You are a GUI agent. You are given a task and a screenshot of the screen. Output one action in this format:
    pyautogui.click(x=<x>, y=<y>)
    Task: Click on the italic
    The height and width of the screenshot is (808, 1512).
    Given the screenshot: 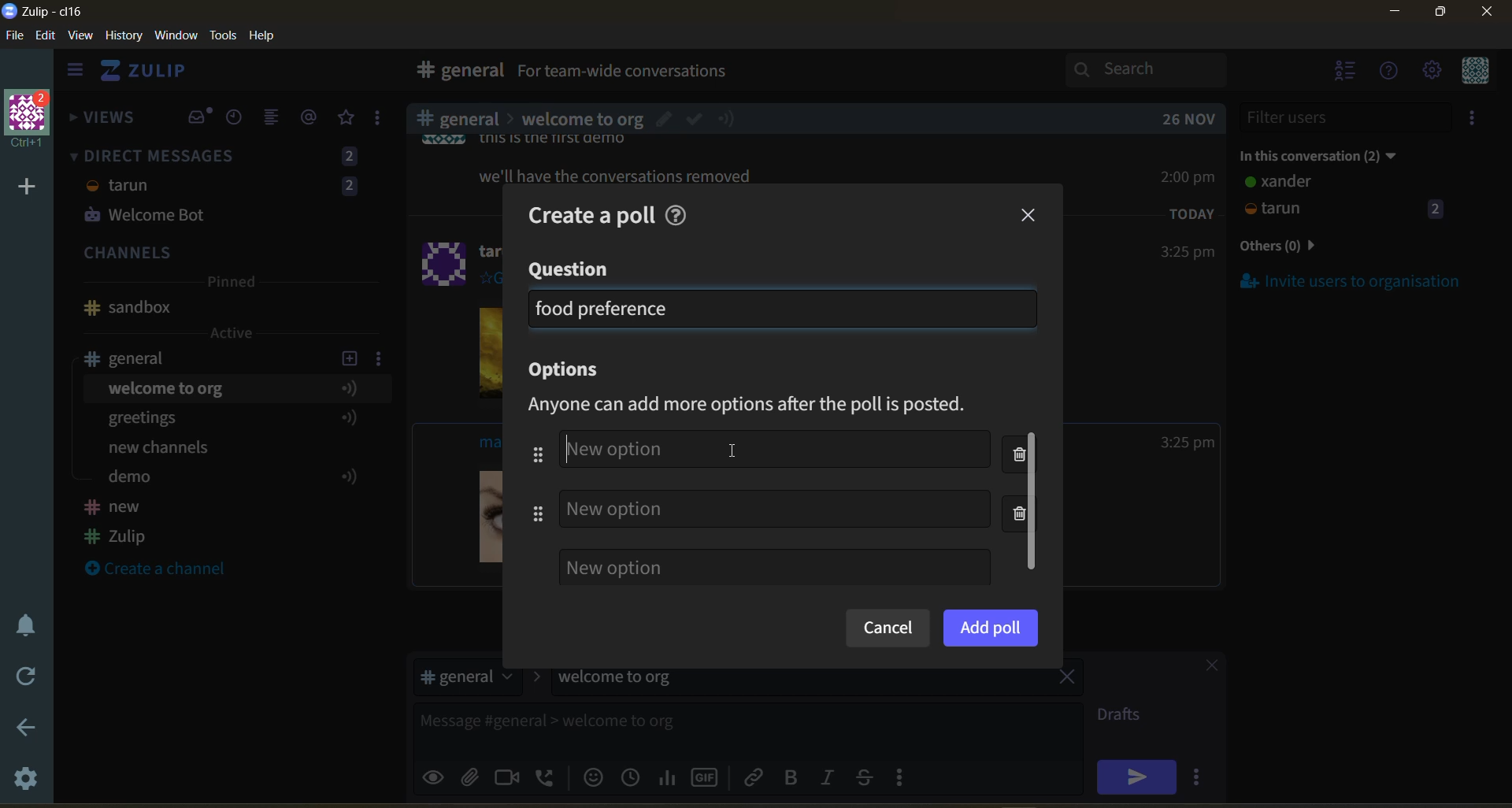 What is the action you would take?
    pyautogui.click(x=831, y=779)
    